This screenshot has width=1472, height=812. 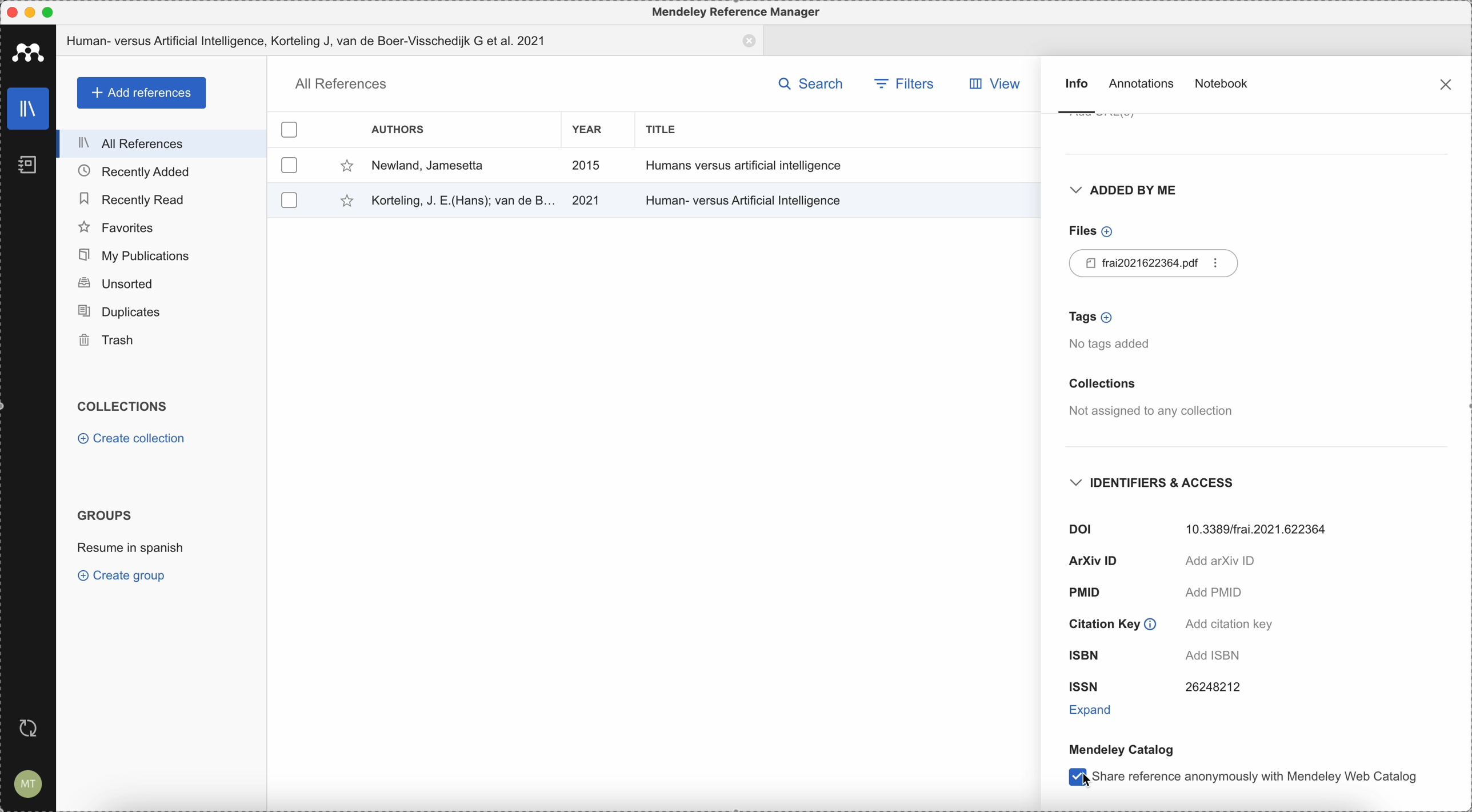 What do you see at coordinates (125, 577) in the screenshot?
I see `create group` at bounding box center [125, 577].